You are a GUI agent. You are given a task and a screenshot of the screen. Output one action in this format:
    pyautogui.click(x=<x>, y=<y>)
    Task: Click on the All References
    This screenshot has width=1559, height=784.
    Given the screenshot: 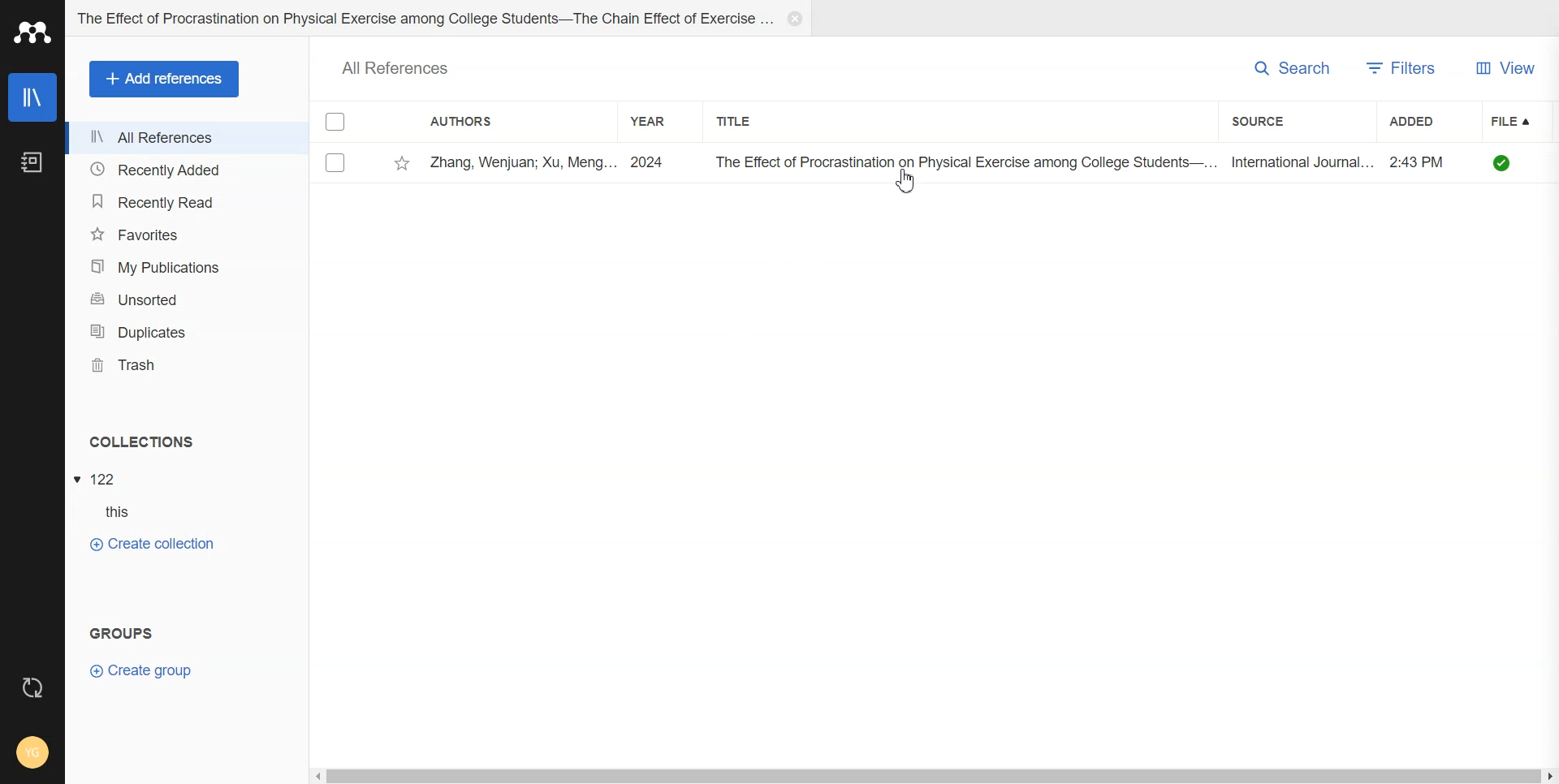 What is the action you would take?
    pyautogui.click(x=186, y=138)
    